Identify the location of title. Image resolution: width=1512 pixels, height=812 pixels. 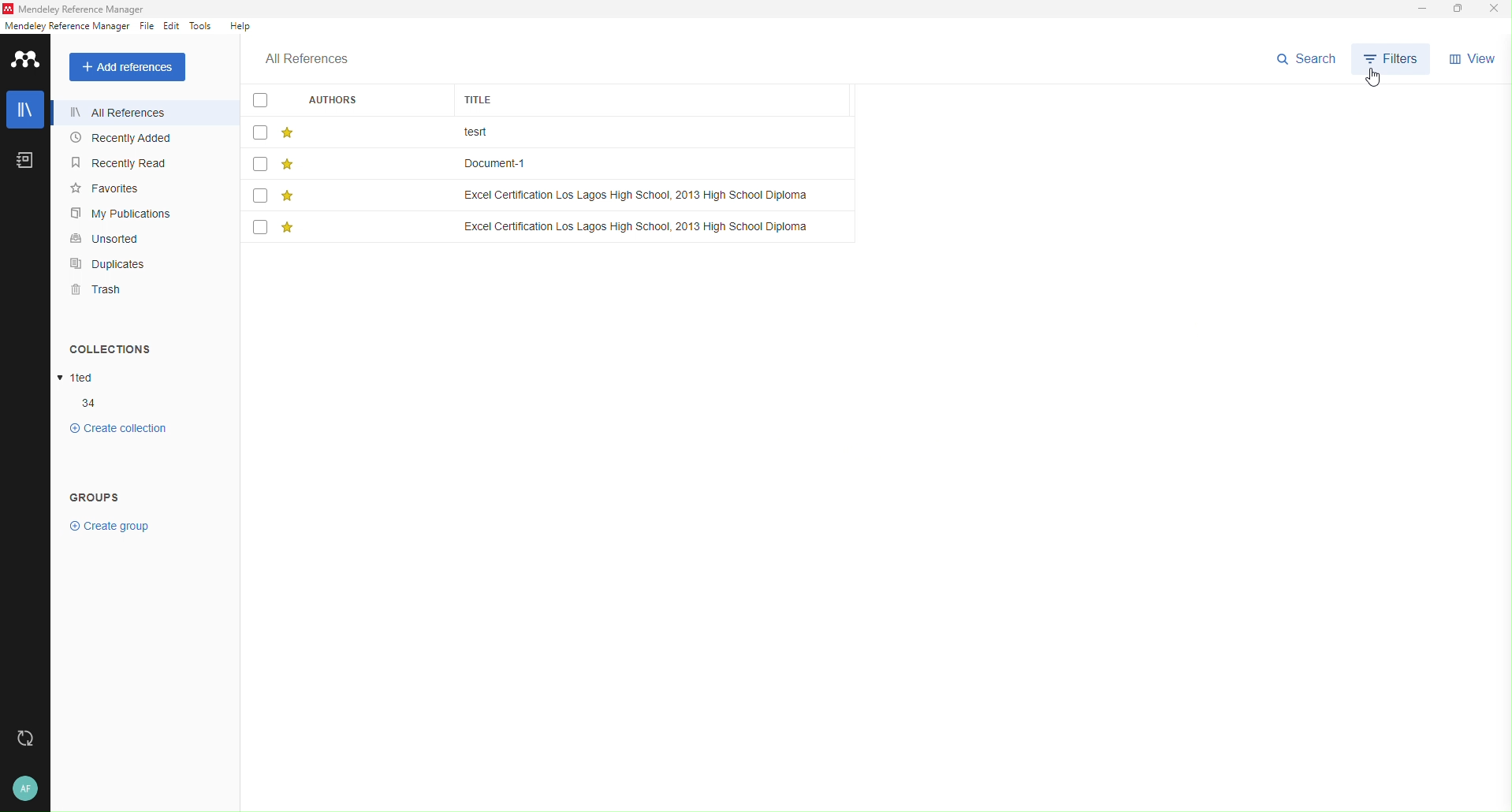
(479, 99).